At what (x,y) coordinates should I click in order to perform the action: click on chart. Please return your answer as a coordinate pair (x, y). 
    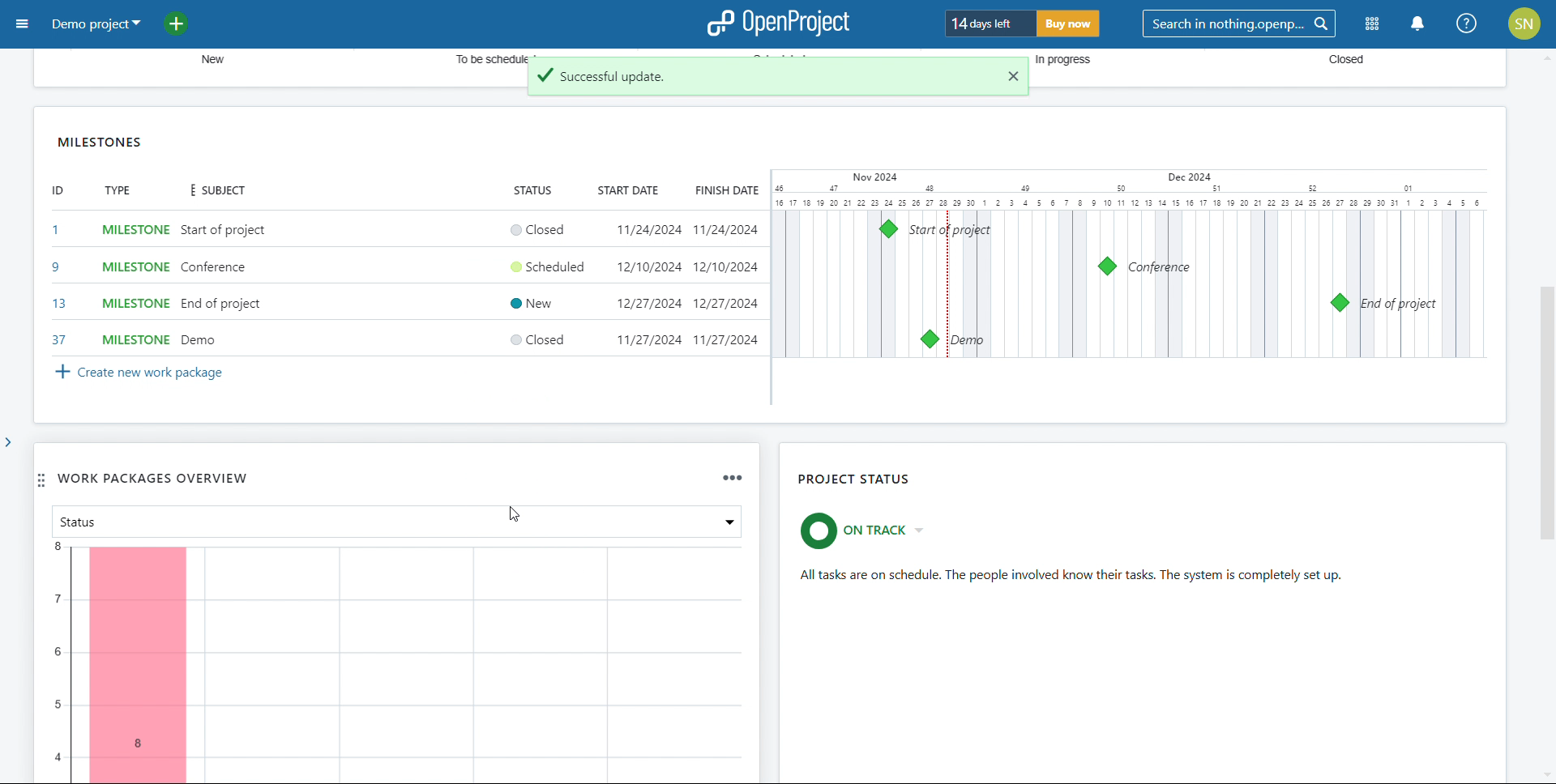
    Looking at the image, I should click on (398, 665).